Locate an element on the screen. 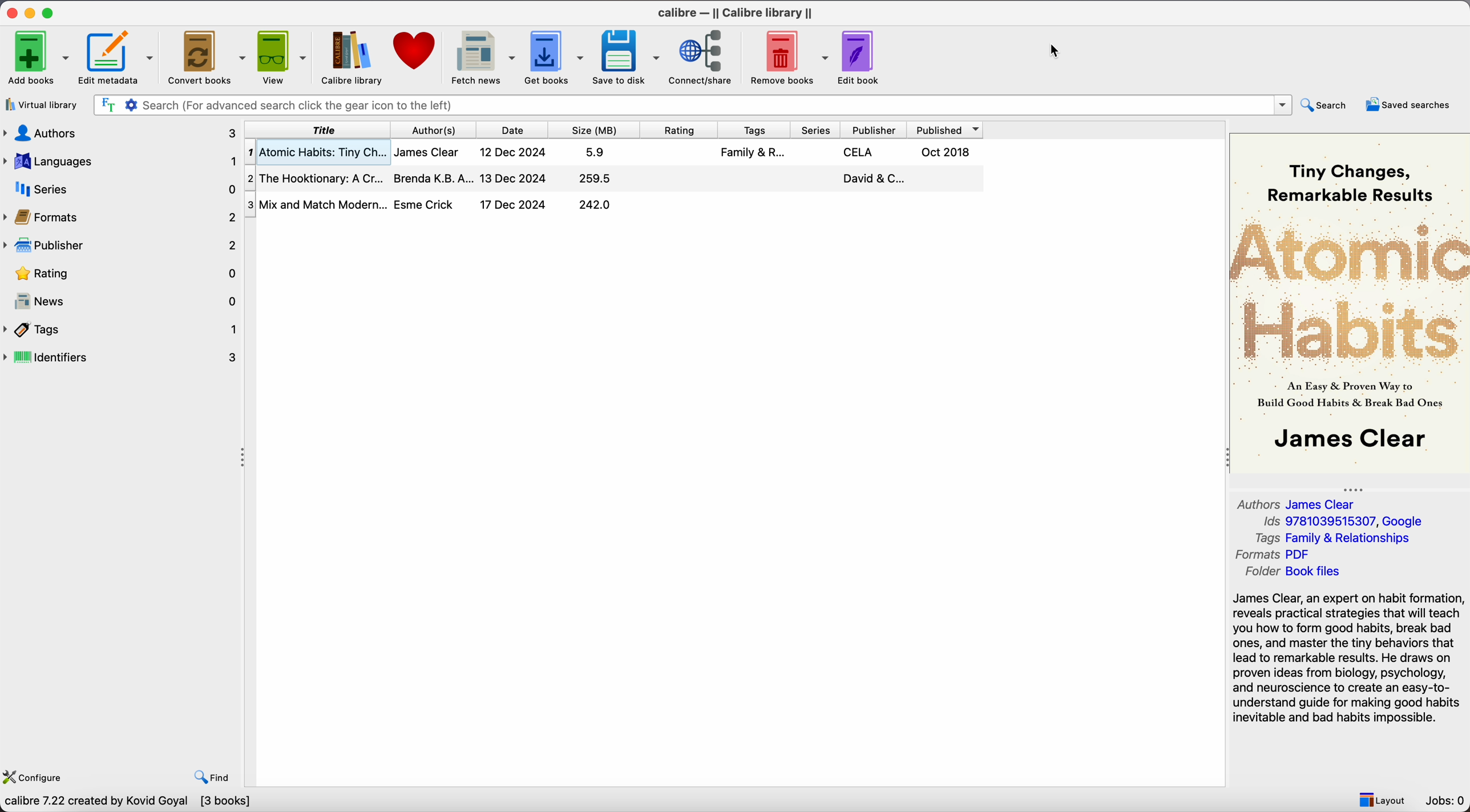 The width and height of the screenshot is (1470, 812). book cover preview is located at coordinates (1348, 302).